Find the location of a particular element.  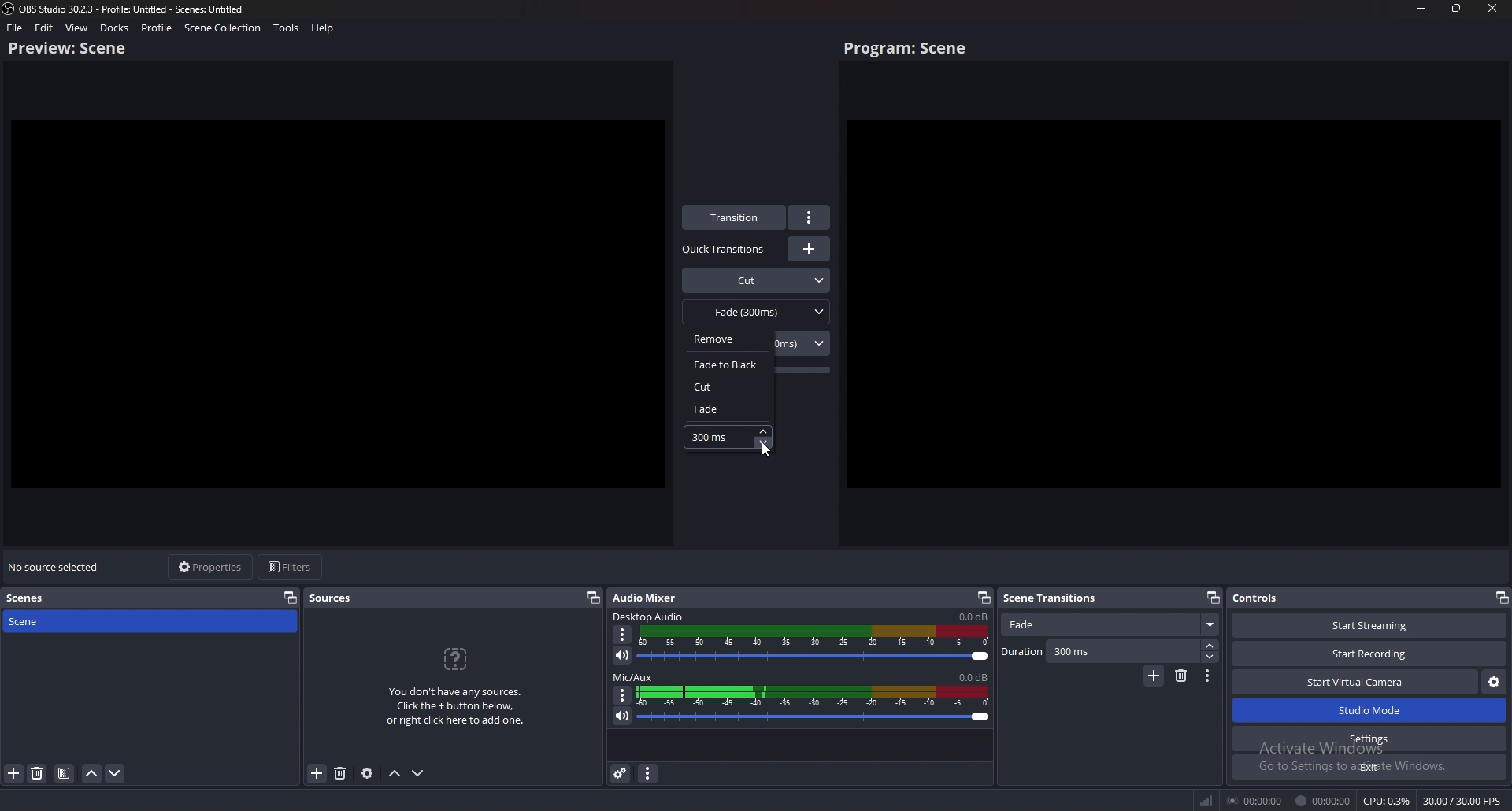

help is located at coordinates (322, 28).